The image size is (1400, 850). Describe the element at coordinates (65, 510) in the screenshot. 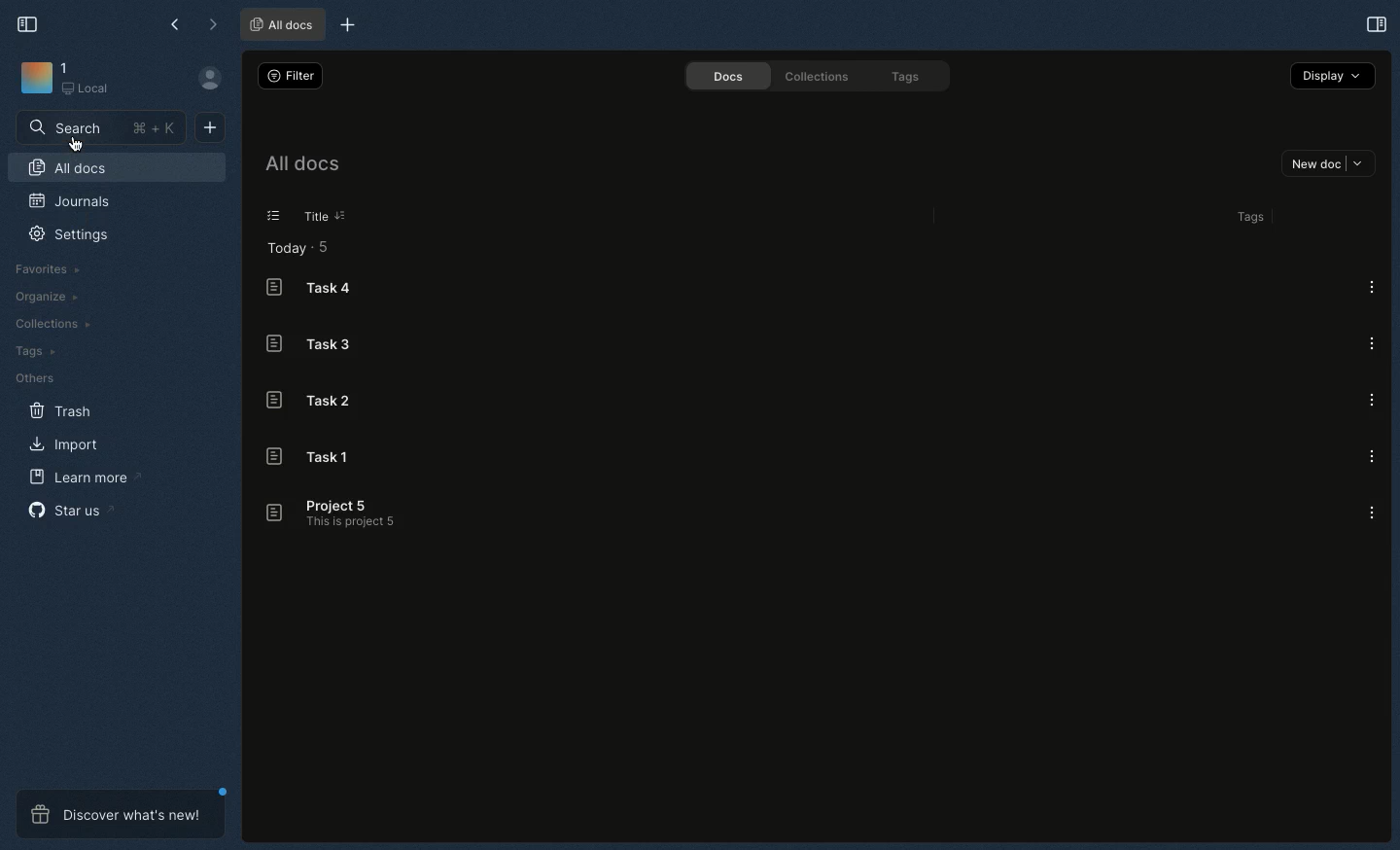

I see `Star us` at that location.